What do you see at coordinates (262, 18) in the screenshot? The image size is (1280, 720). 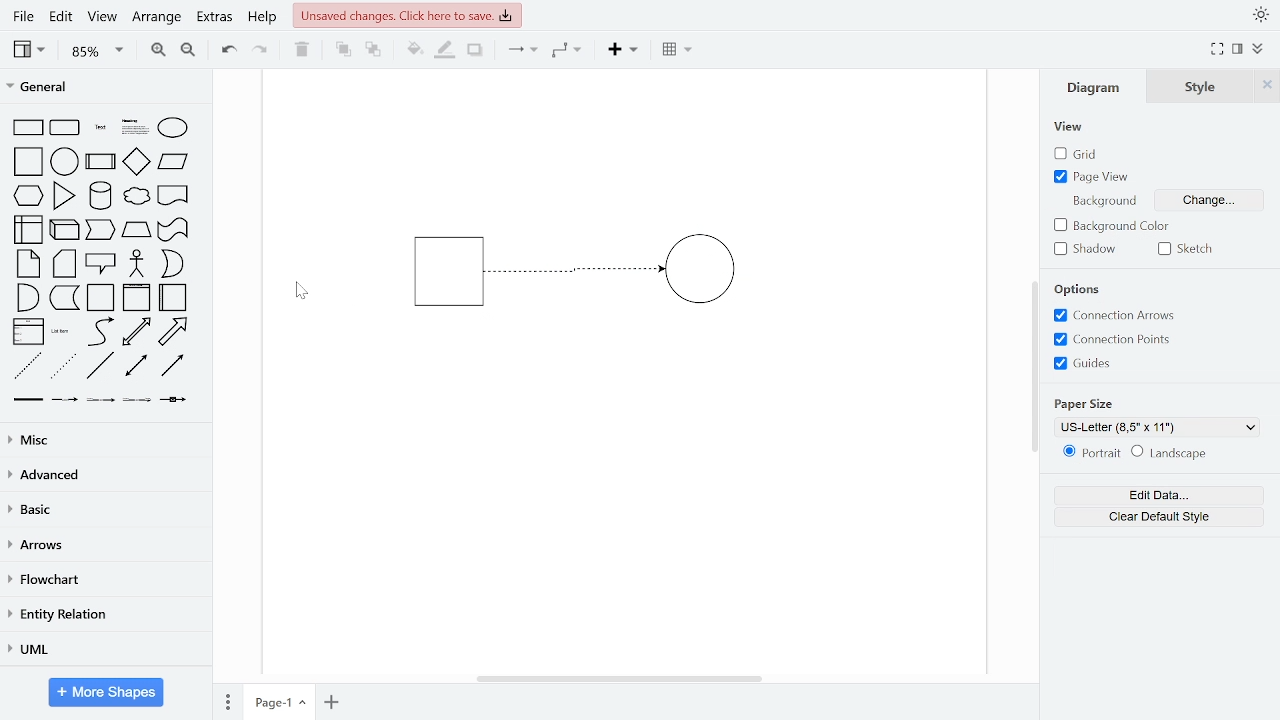 I see `help` at bounding box center [262, 18].